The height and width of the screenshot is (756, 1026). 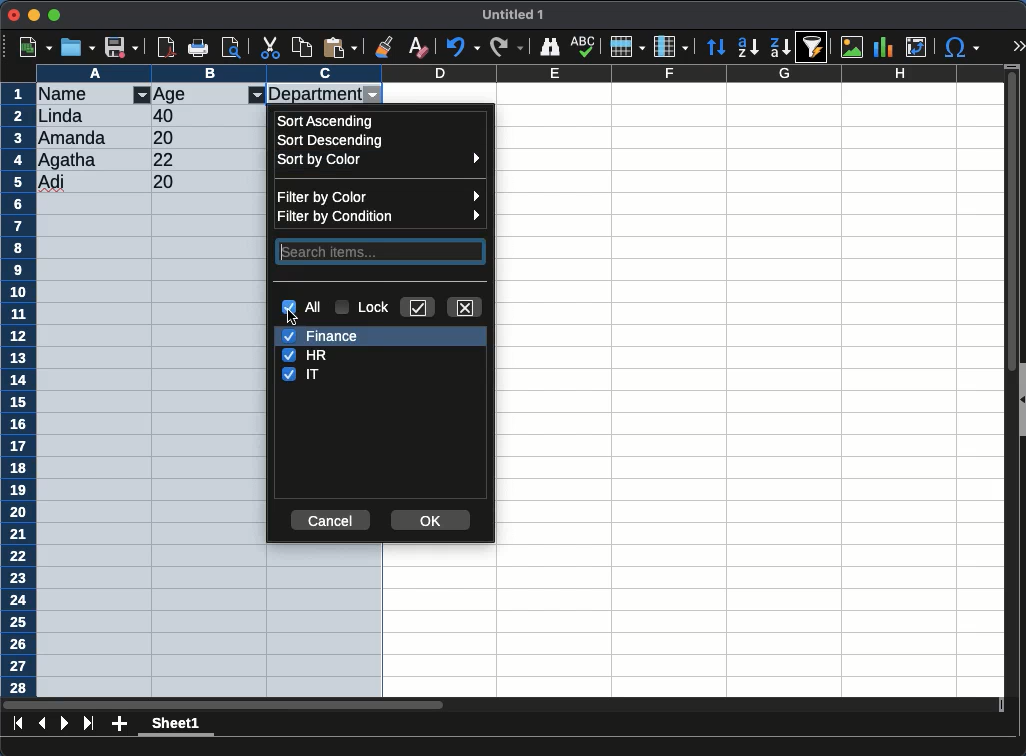 What do you see at coordinates (78, 47) in the screenshot?
I see `open` at bounding box center [78, 47].